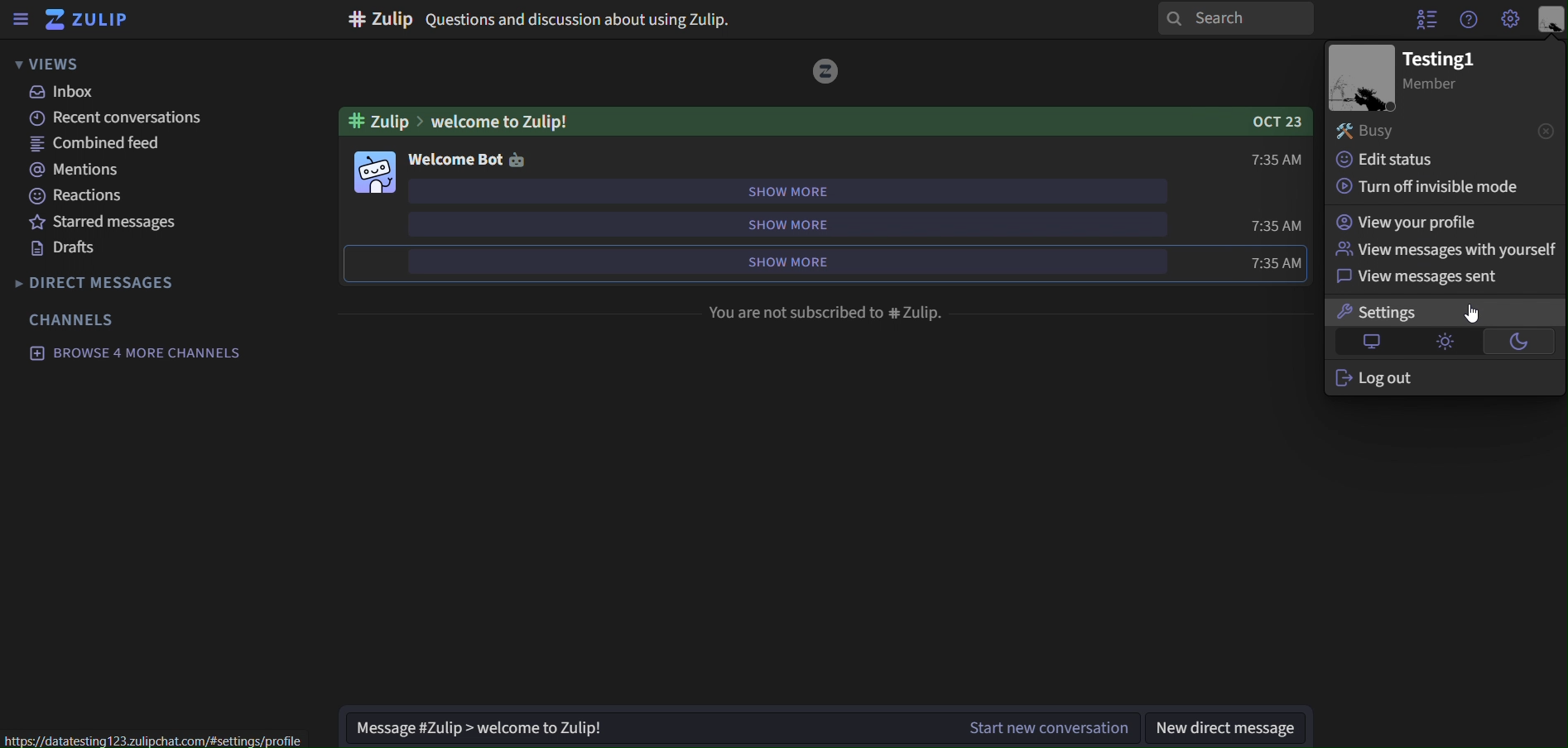  Describe the element at coordinates (132, 353) in the screenshot. I see `browse 4 more channels` at that location.